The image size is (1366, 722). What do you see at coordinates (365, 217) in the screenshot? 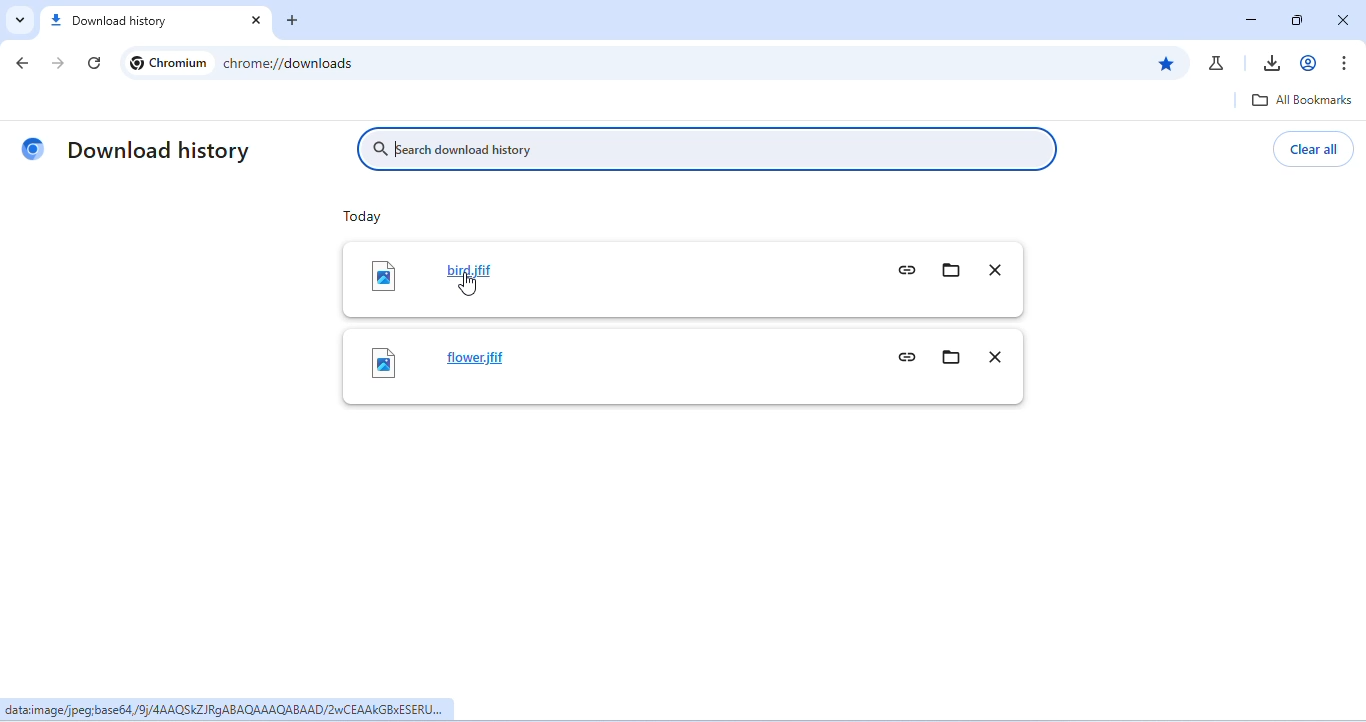
I see `toady` at bounding box center [365, 217].